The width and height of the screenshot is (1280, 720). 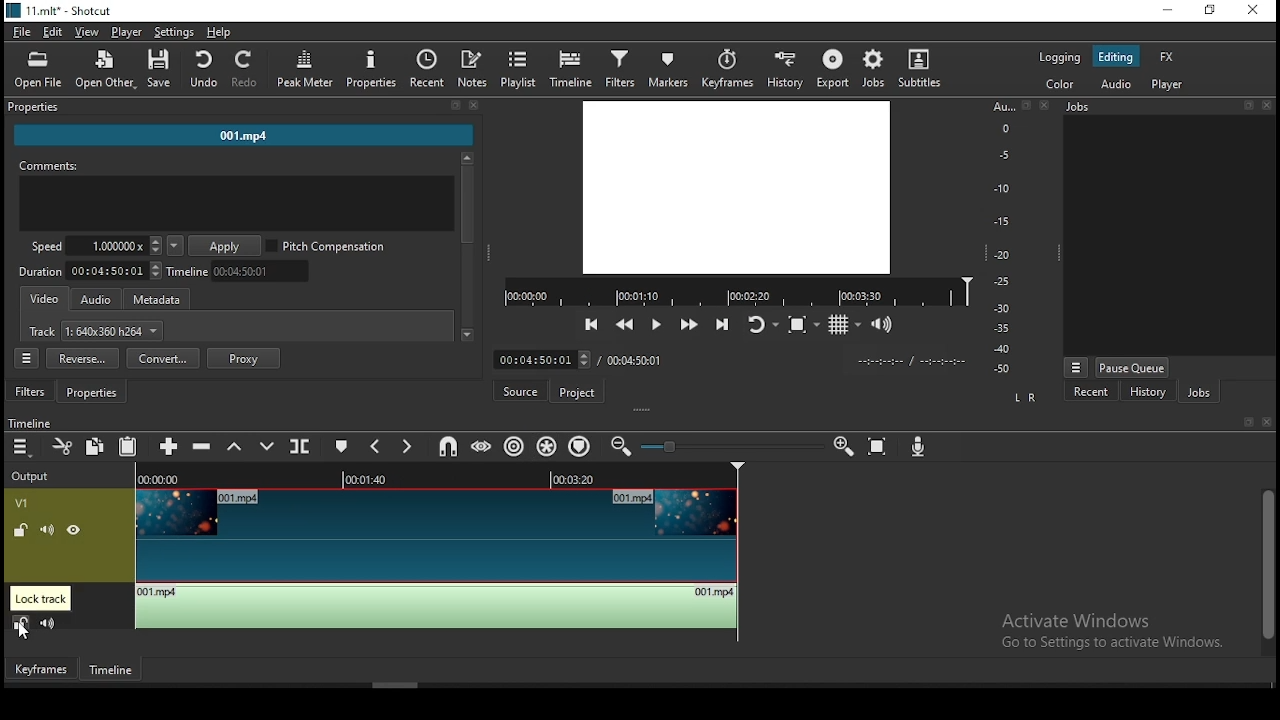 I want to click on ripple all tracks, so click(x=549, y=446).